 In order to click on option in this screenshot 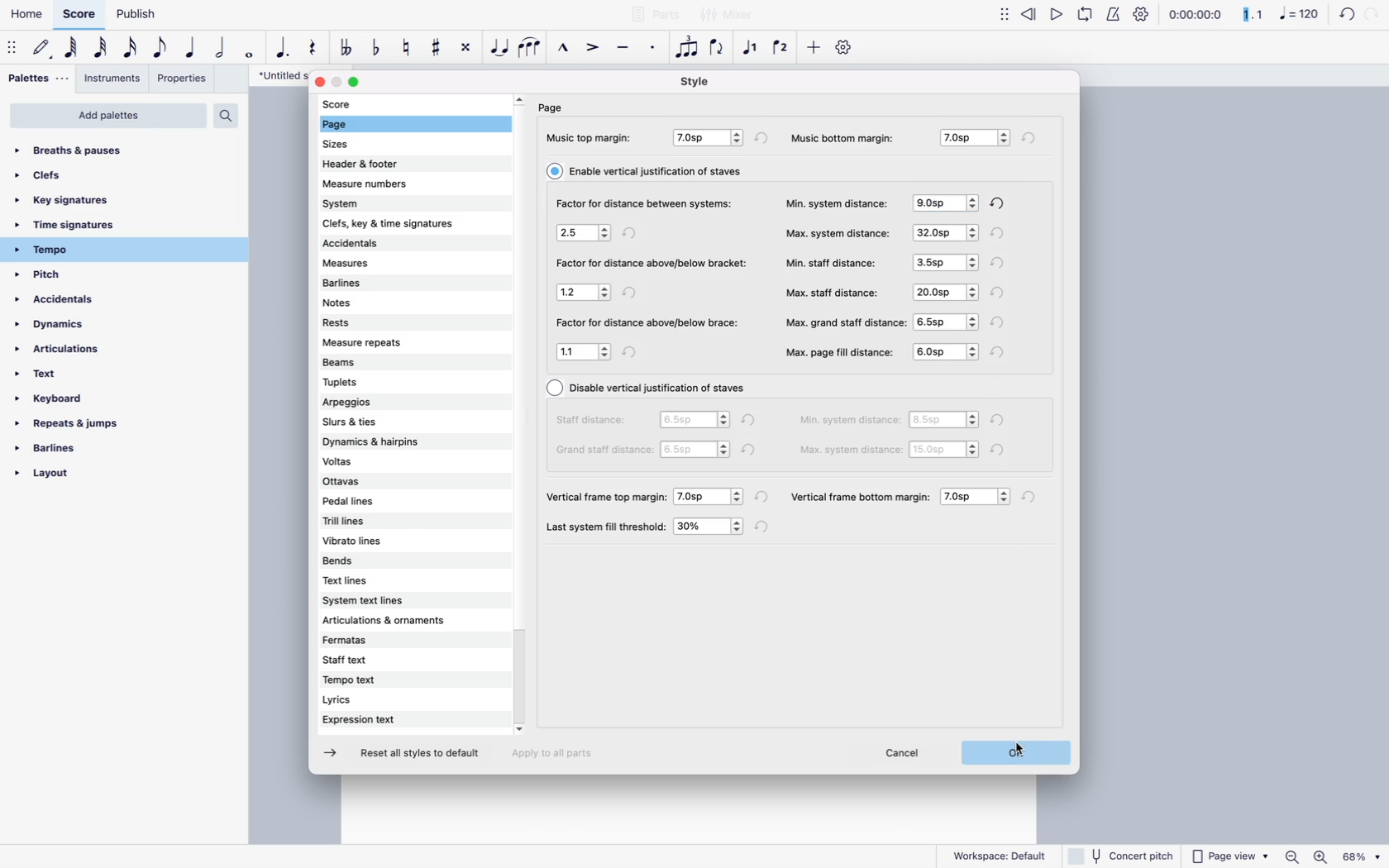, I will do `click(978, 497)`.